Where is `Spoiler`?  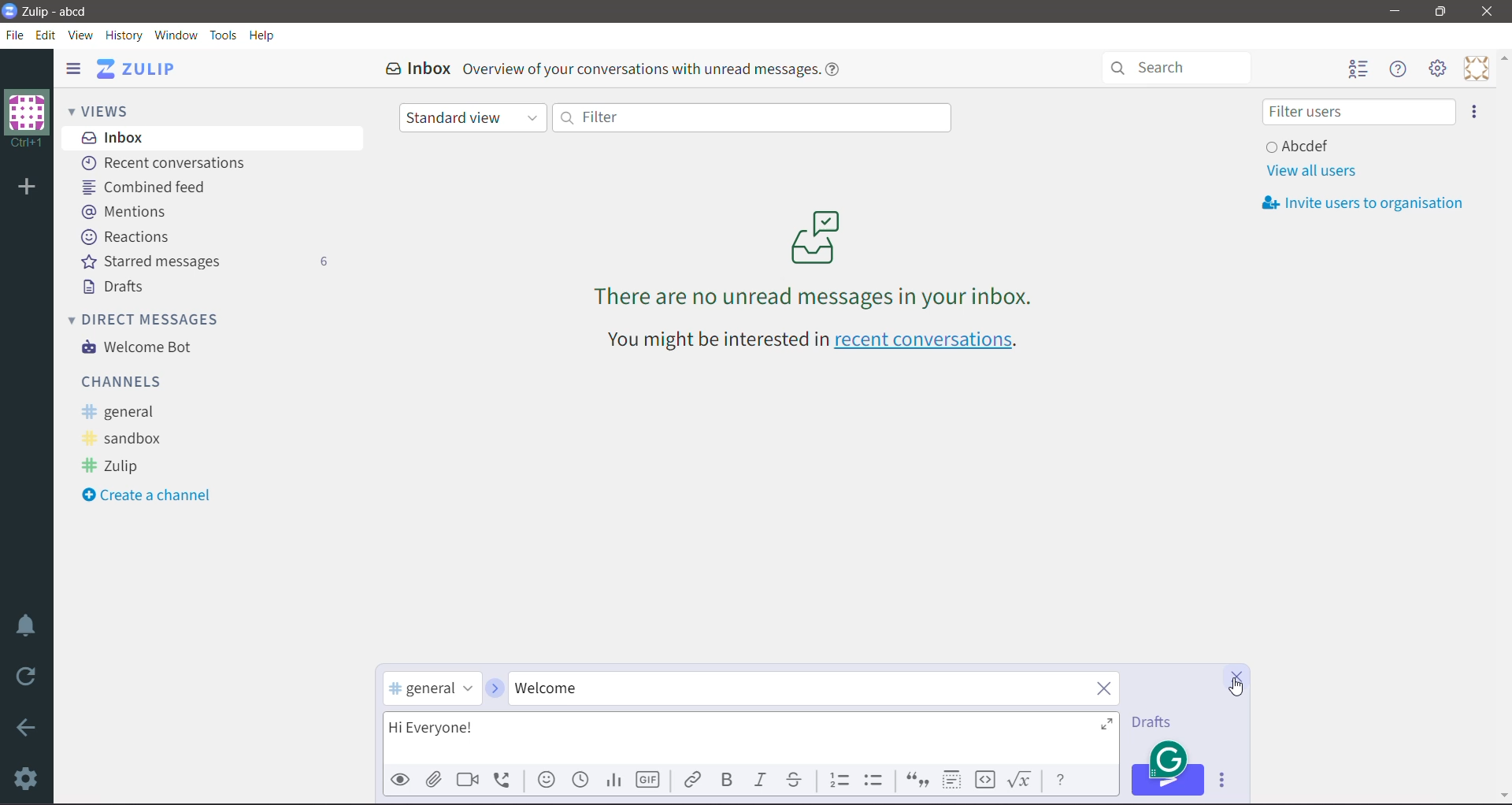
Spoiler is located at coordinates (951, 781).